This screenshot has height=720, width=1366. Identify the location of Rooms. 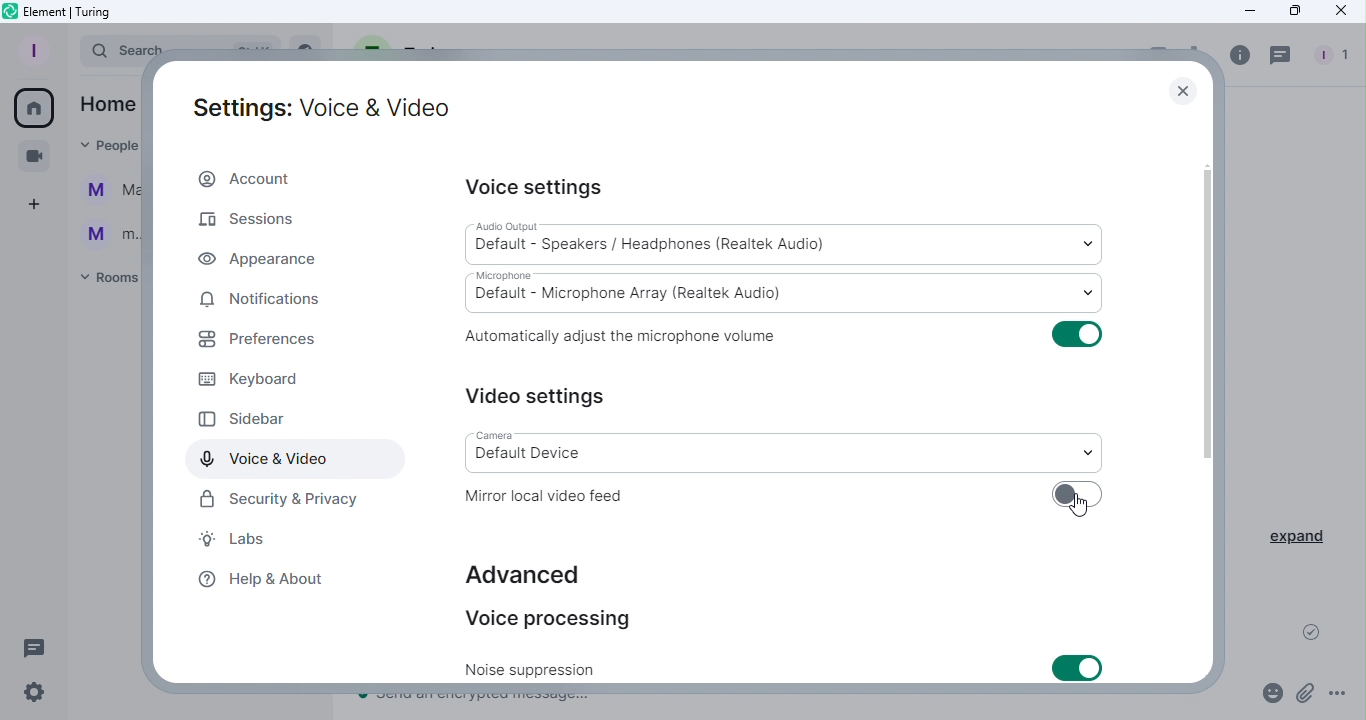
(110, 282).